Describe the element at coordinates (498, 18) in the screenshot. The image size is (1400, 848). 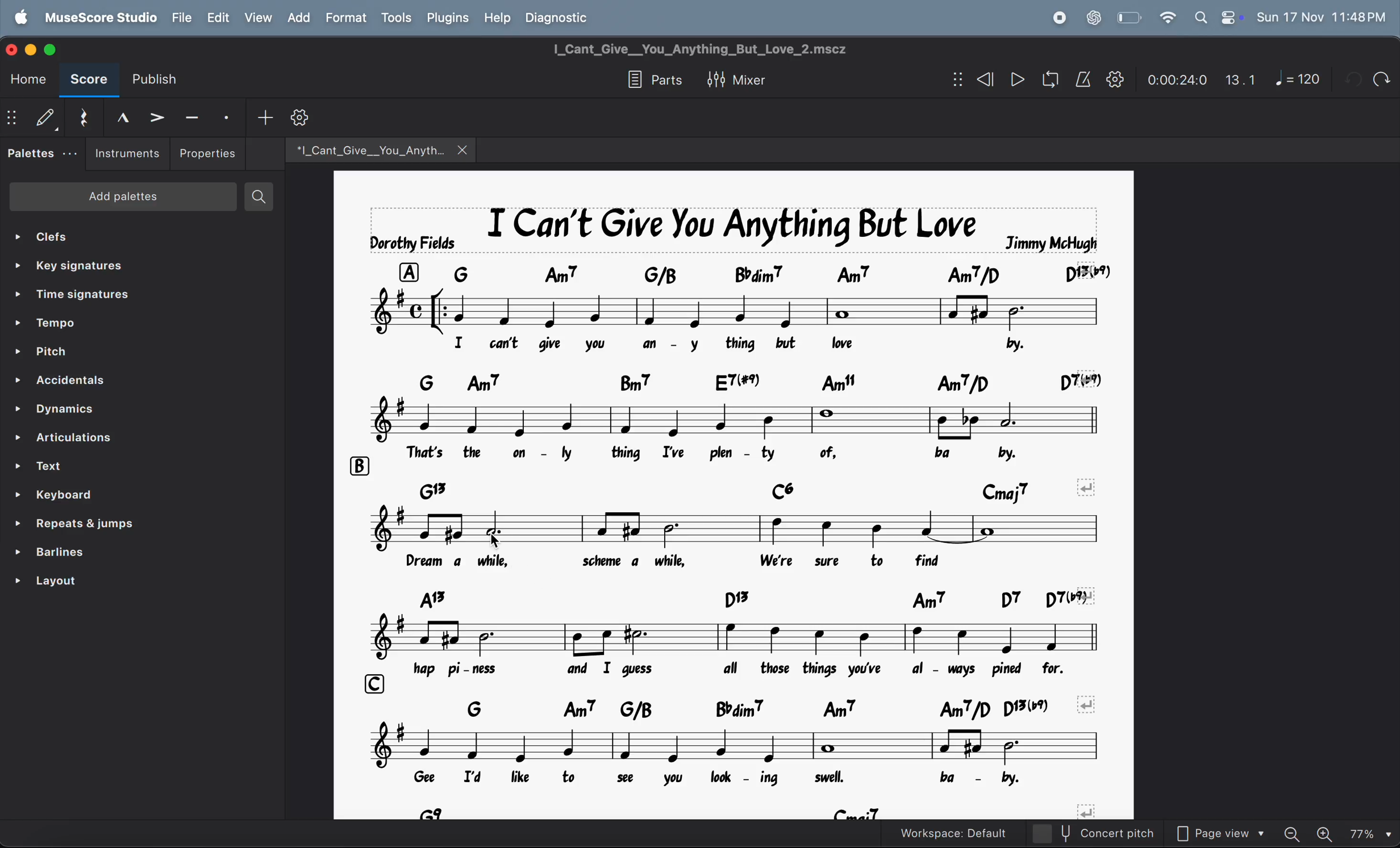
I see `help` at that location.